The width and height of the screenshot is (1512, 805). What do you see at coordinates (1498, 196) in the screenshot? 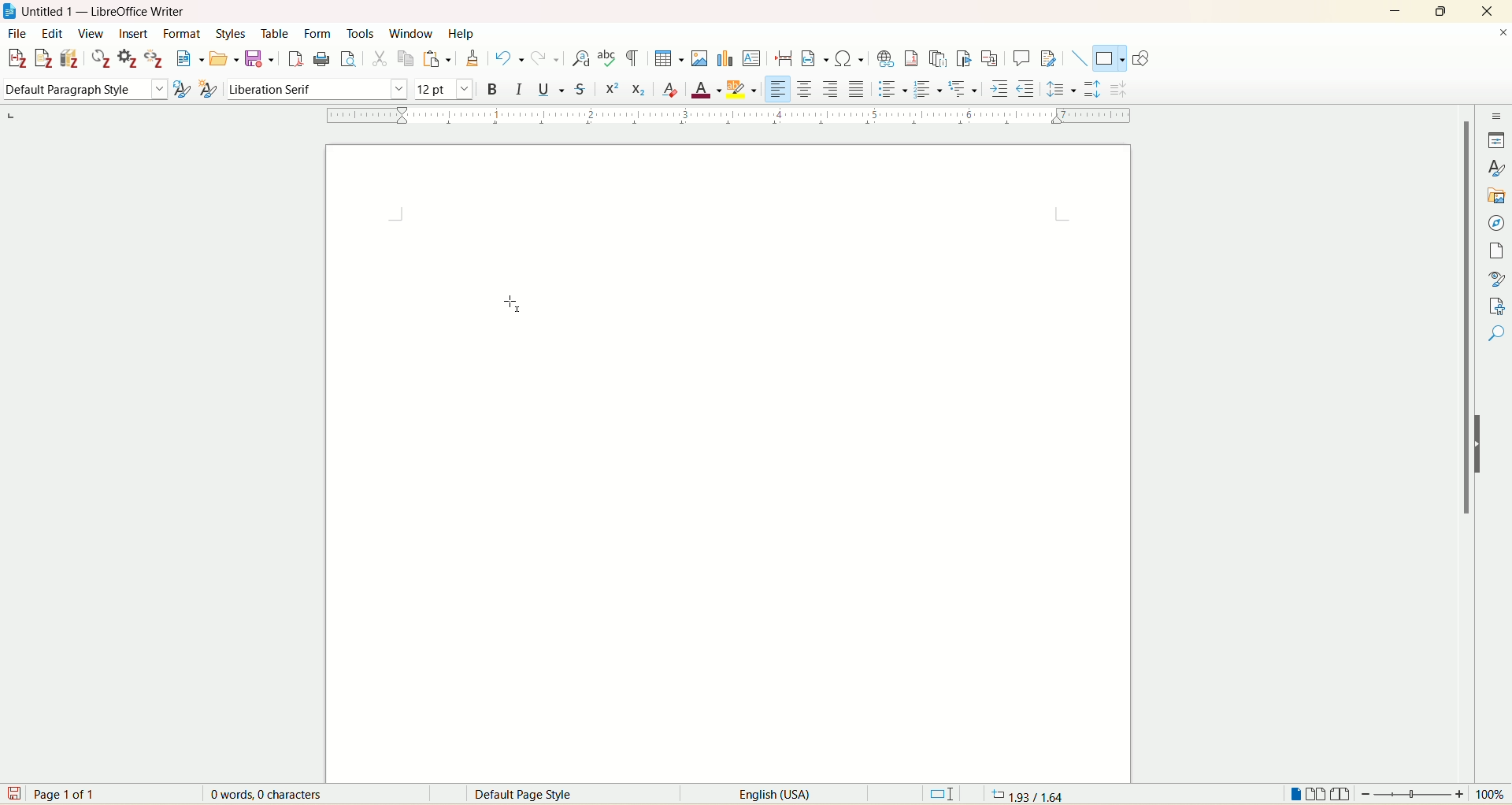
I see `gallary` at bounding box center [1498, 196].